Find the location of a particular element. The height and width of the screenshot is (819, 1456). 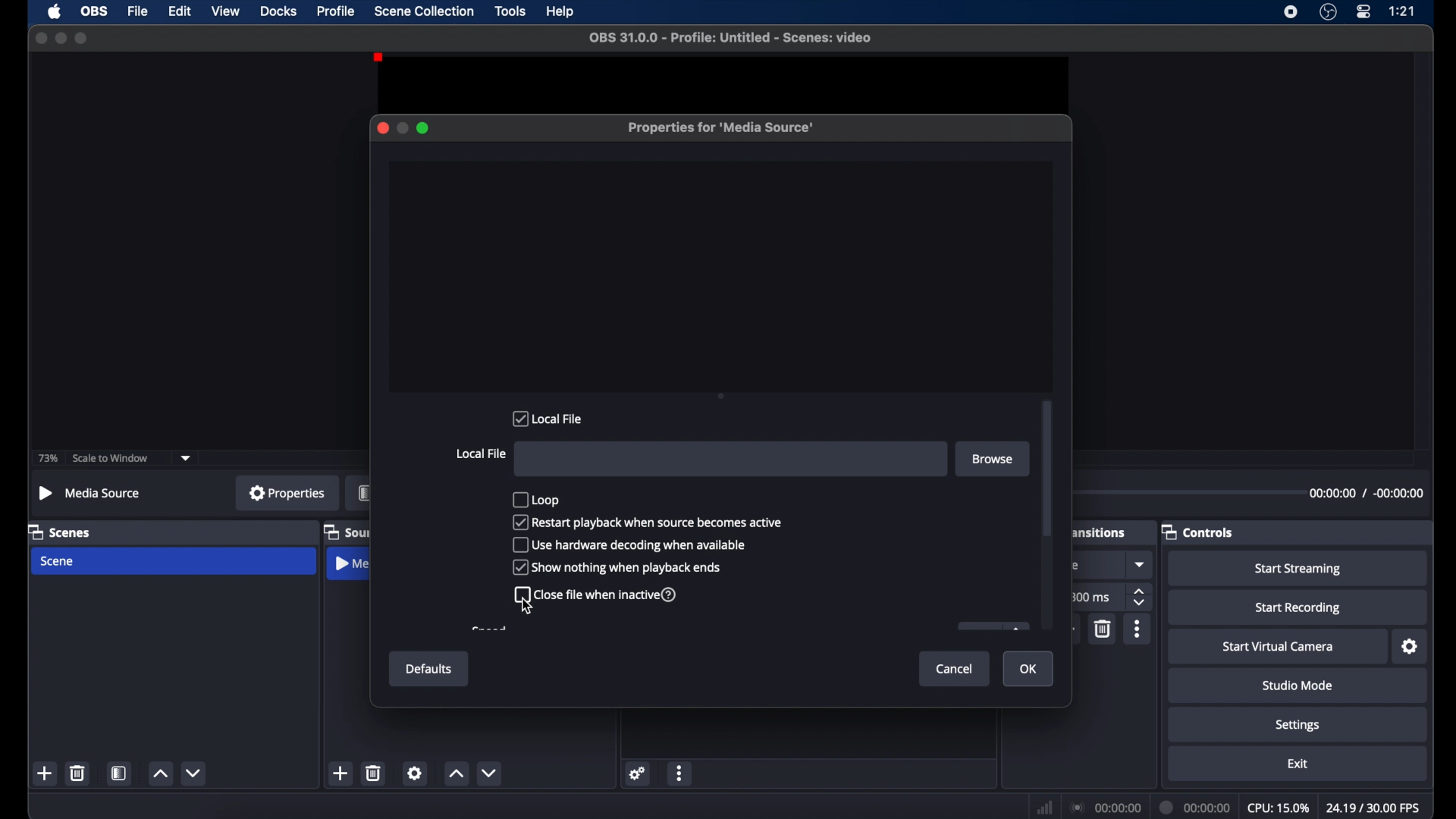

network is located at coordinates (1043, 808).